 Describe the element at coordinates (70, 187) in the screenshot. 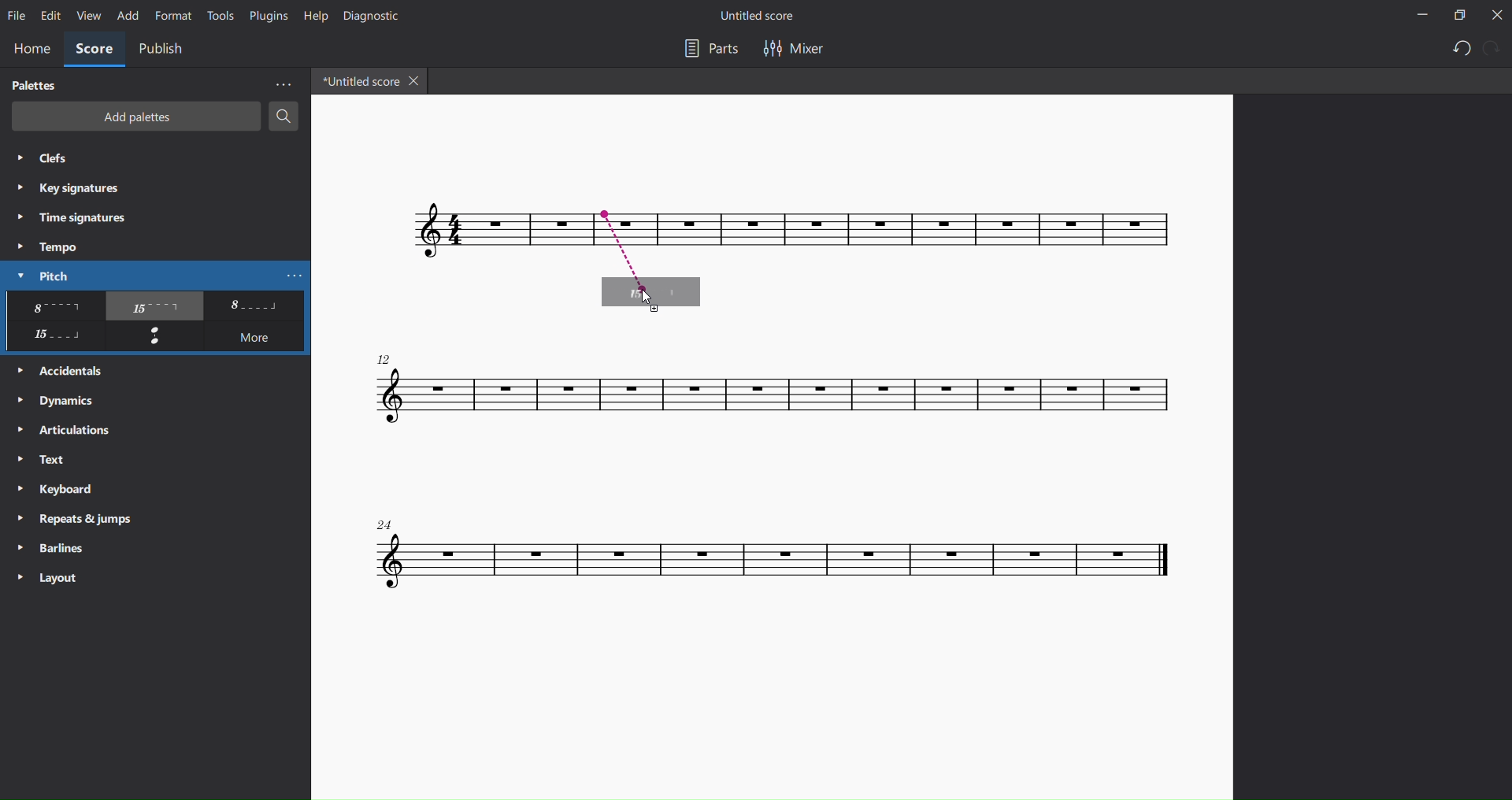

I see `key signatures` at that location.